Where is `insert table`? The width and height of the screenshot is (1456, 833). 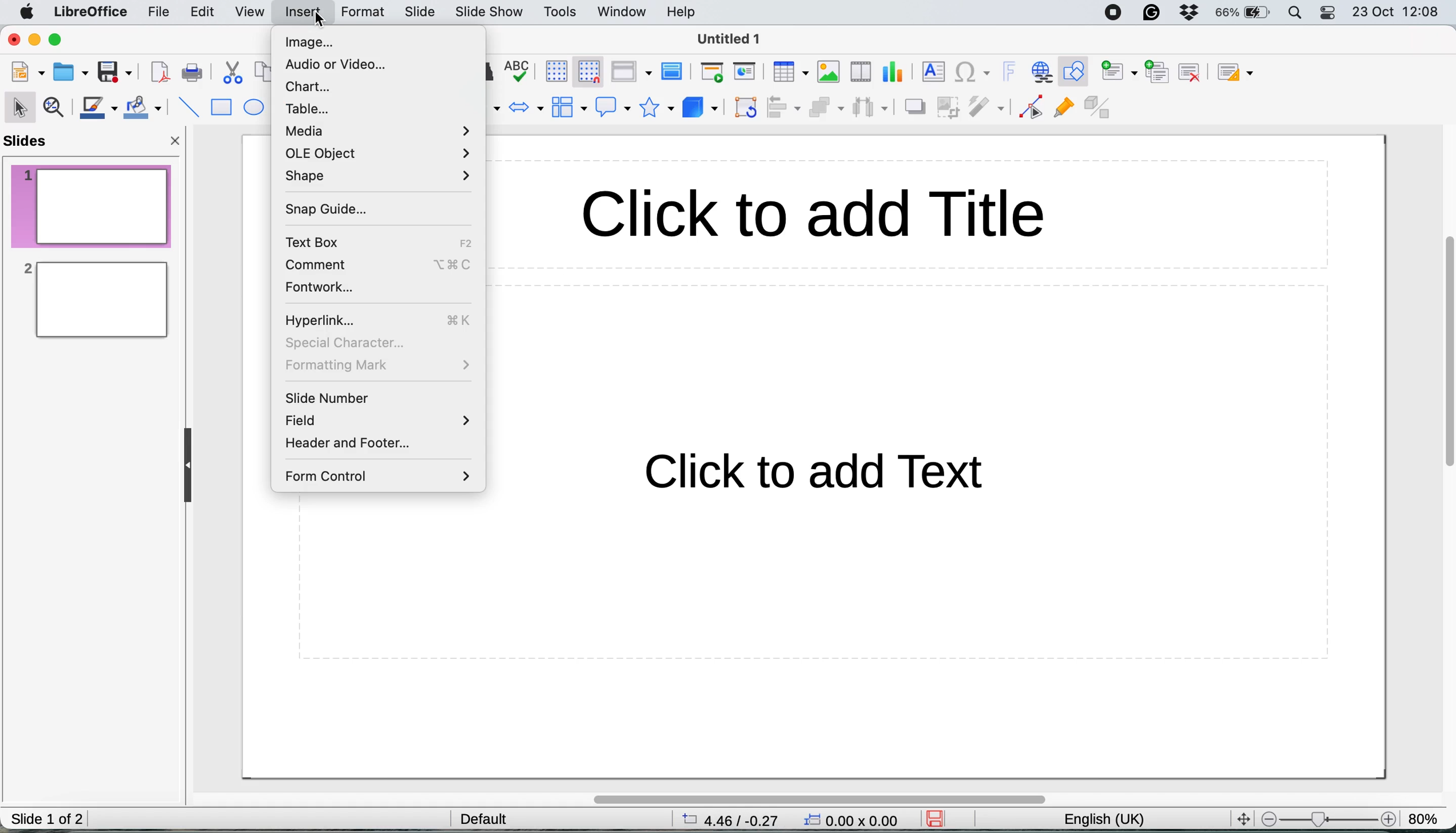
insert table is located at coordinates (789, 72).